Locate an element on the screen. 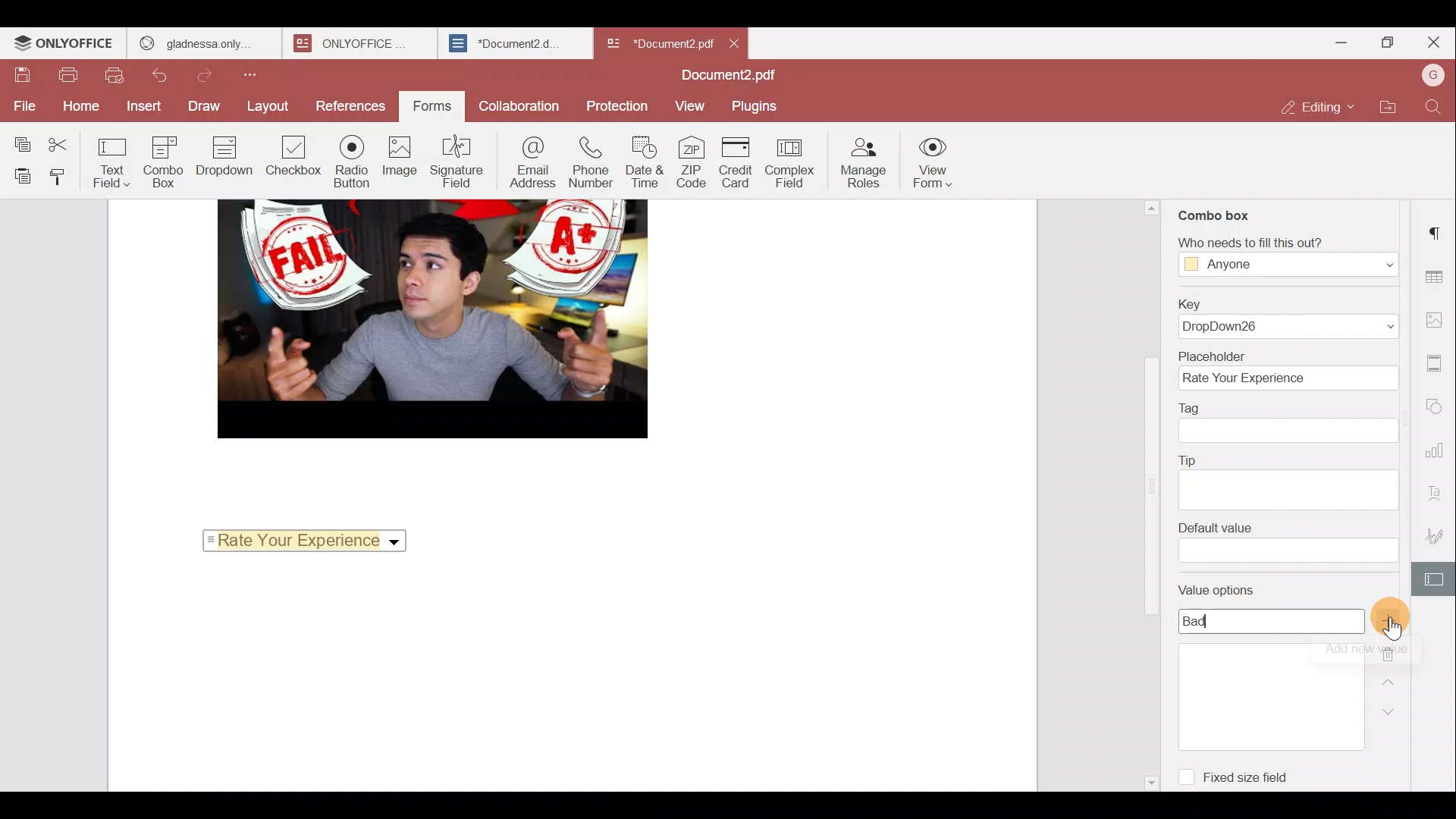 Image resolution: width=1456 pixels, height=819 pixels. Forms is located at coordinates (427, 107).